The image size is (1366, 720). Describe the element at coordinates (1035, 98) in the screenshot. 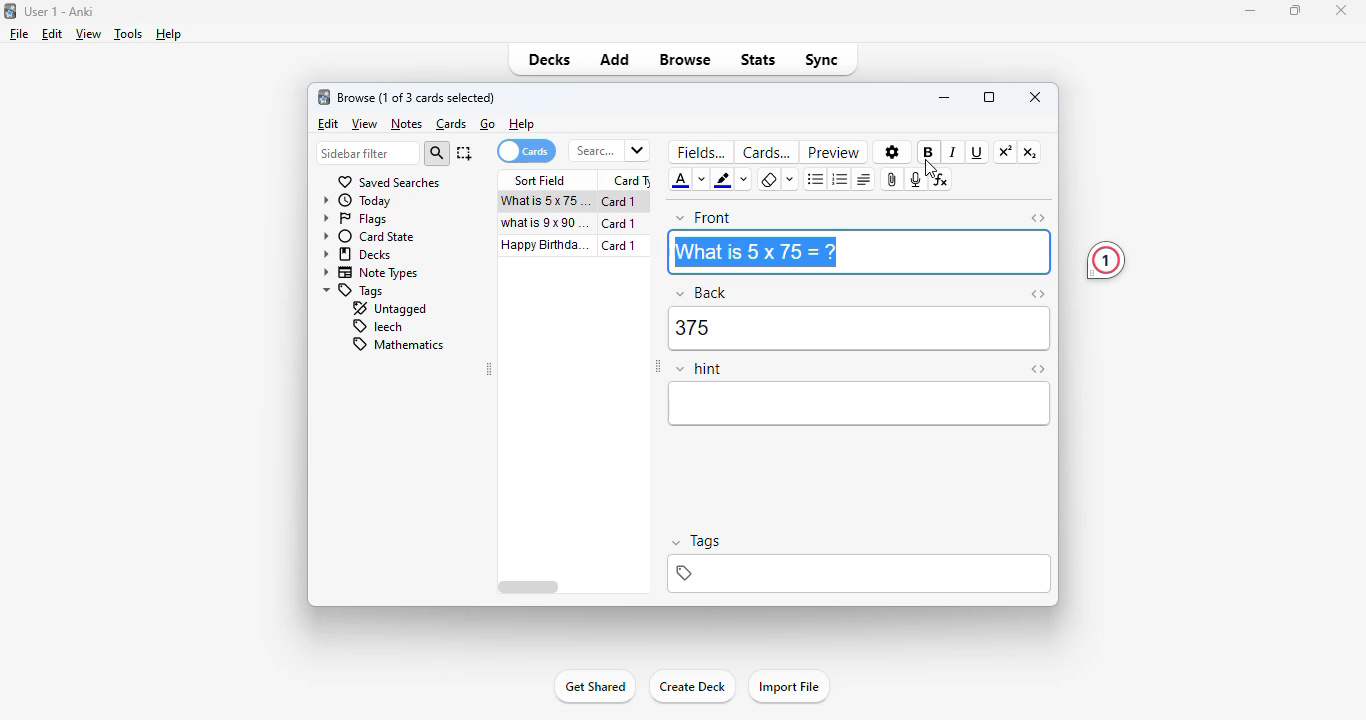

I see `close` at that location.